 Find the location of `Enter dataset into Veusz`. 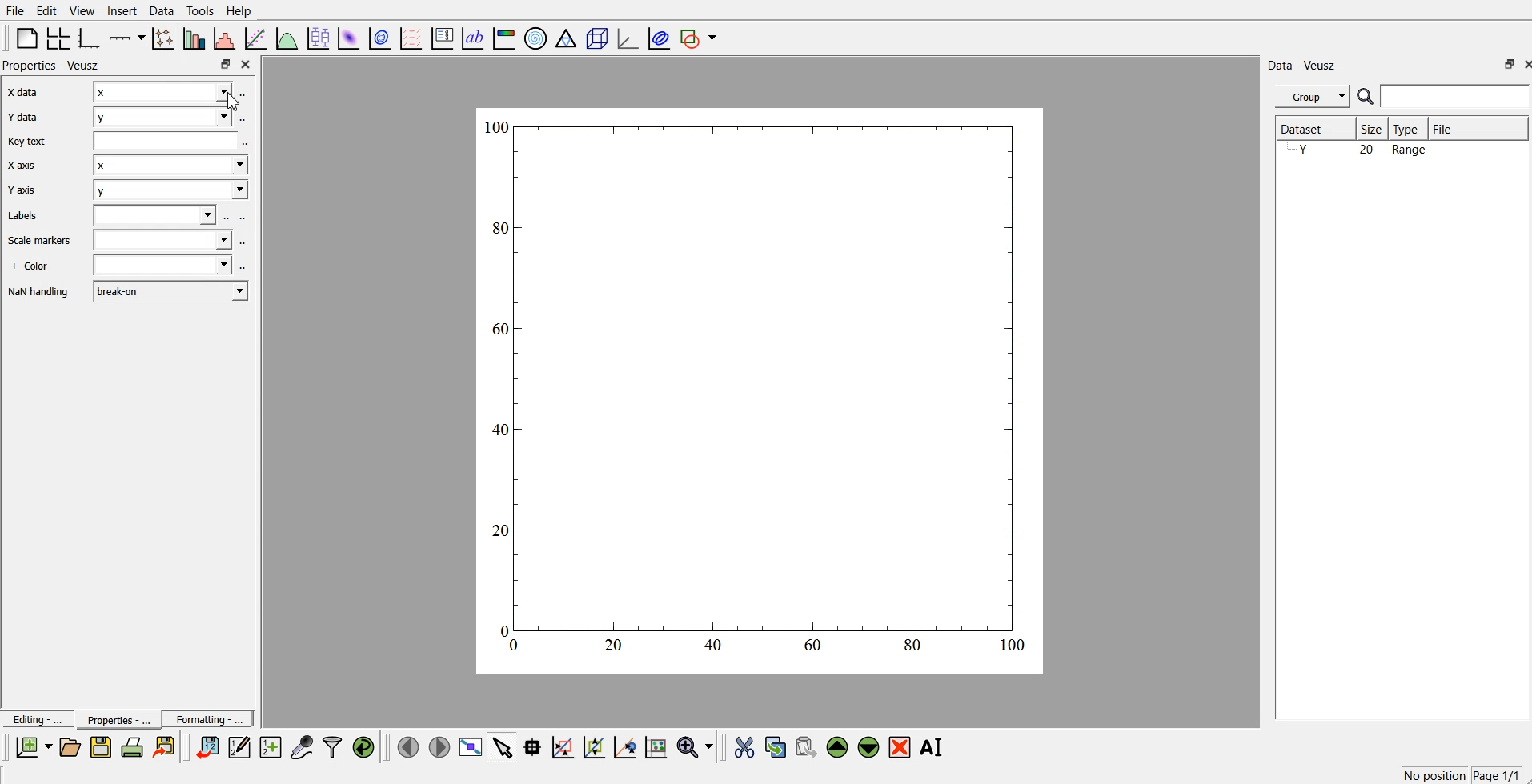

Enter dataset into Veusz is located at coordinates (206, 747).